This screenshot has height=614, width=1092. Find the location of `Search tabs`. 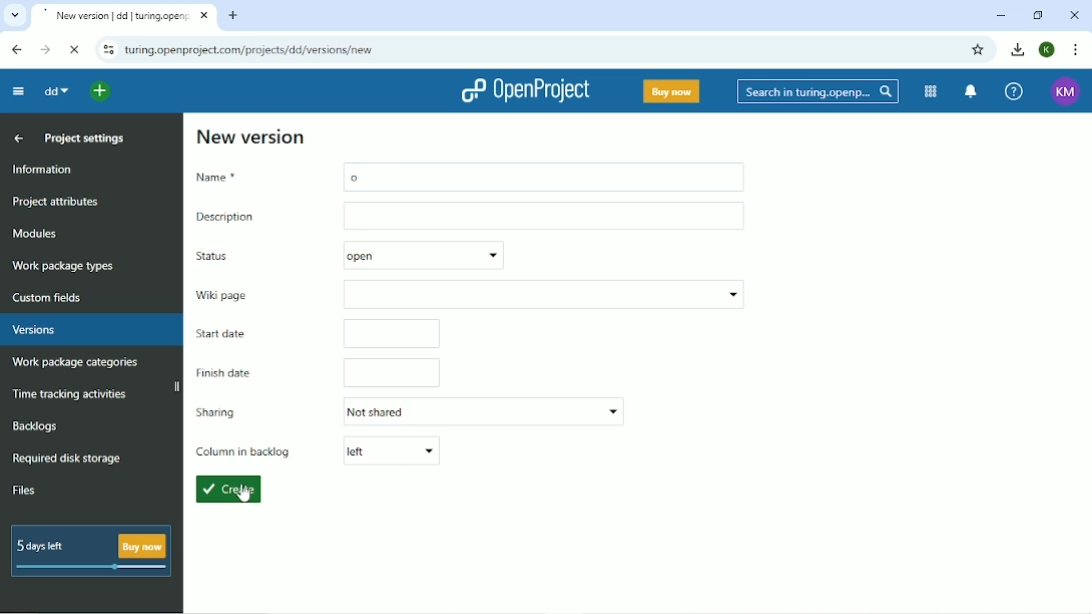

Search tabs is located at coordinates (14, 14).